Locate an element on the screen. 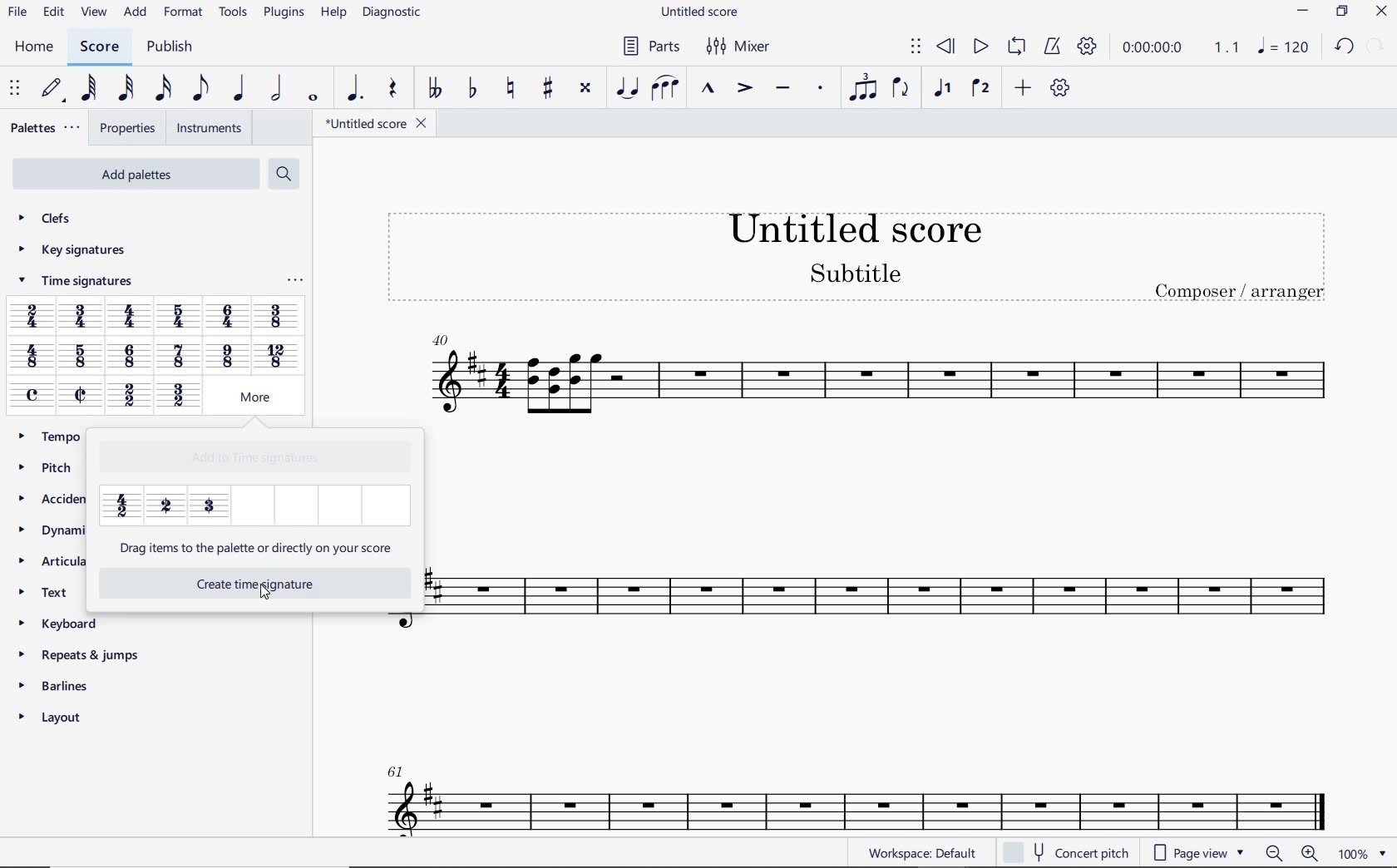 This screenshot has width=1397, height=868. CONCERT PITCH is located at coordinates (1065, 851).